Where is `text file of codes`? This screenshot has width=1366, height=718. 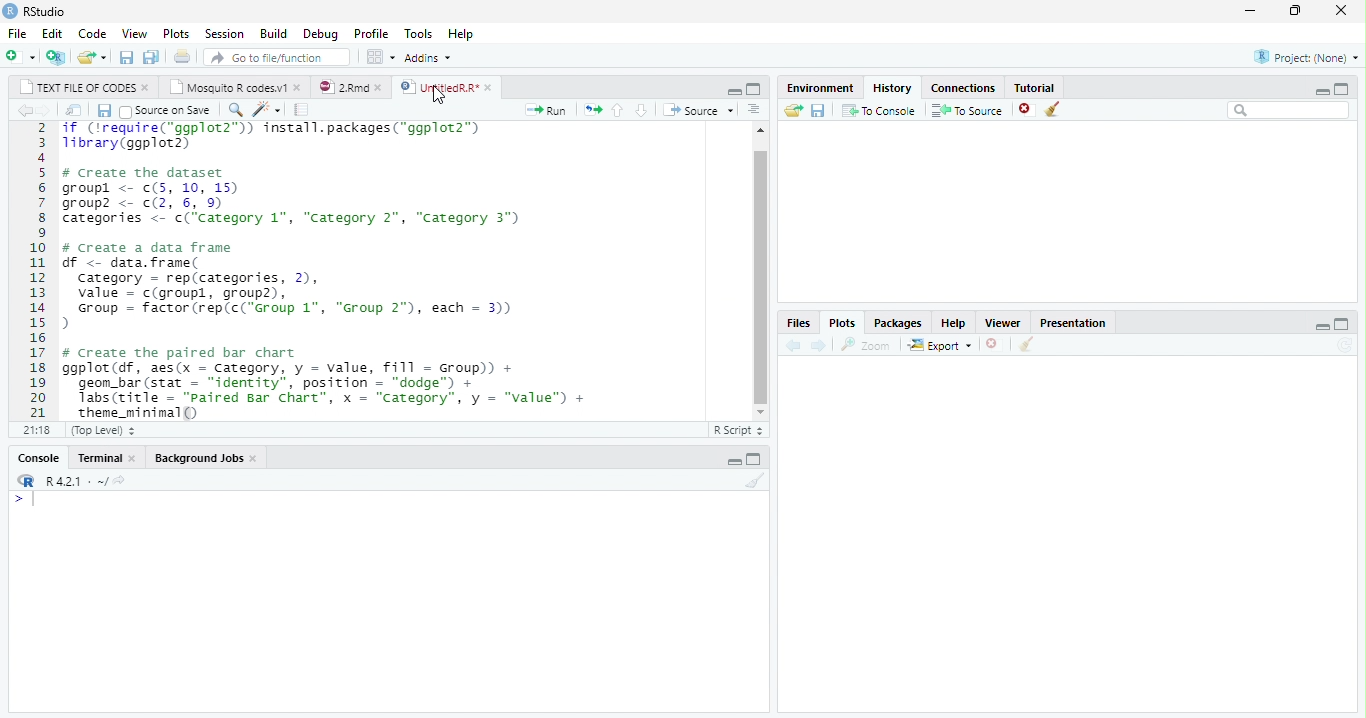 text file of codes is located at coordinates (78, 88).